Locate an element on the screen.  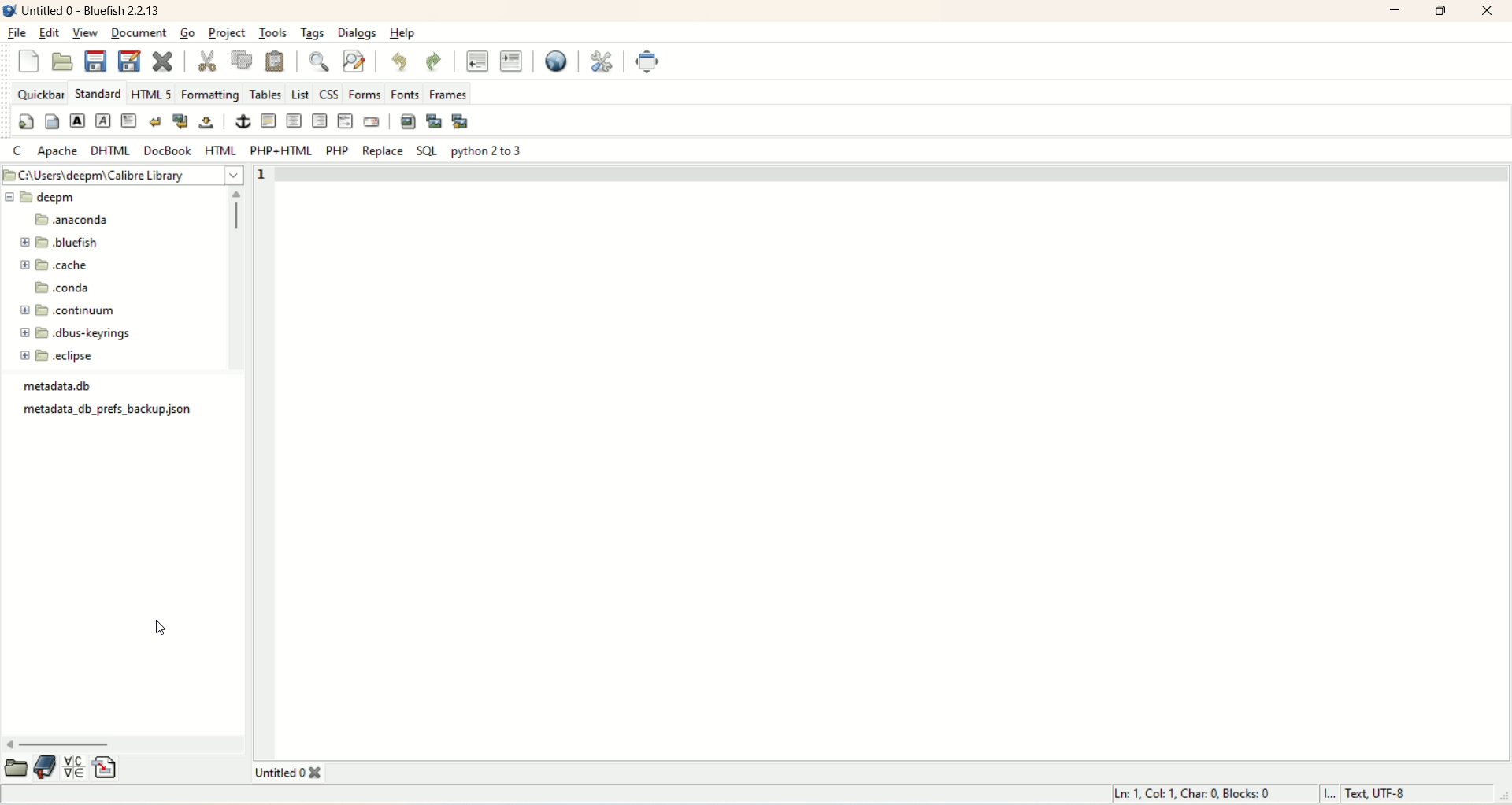
close is located at coordinates (1485, 13).